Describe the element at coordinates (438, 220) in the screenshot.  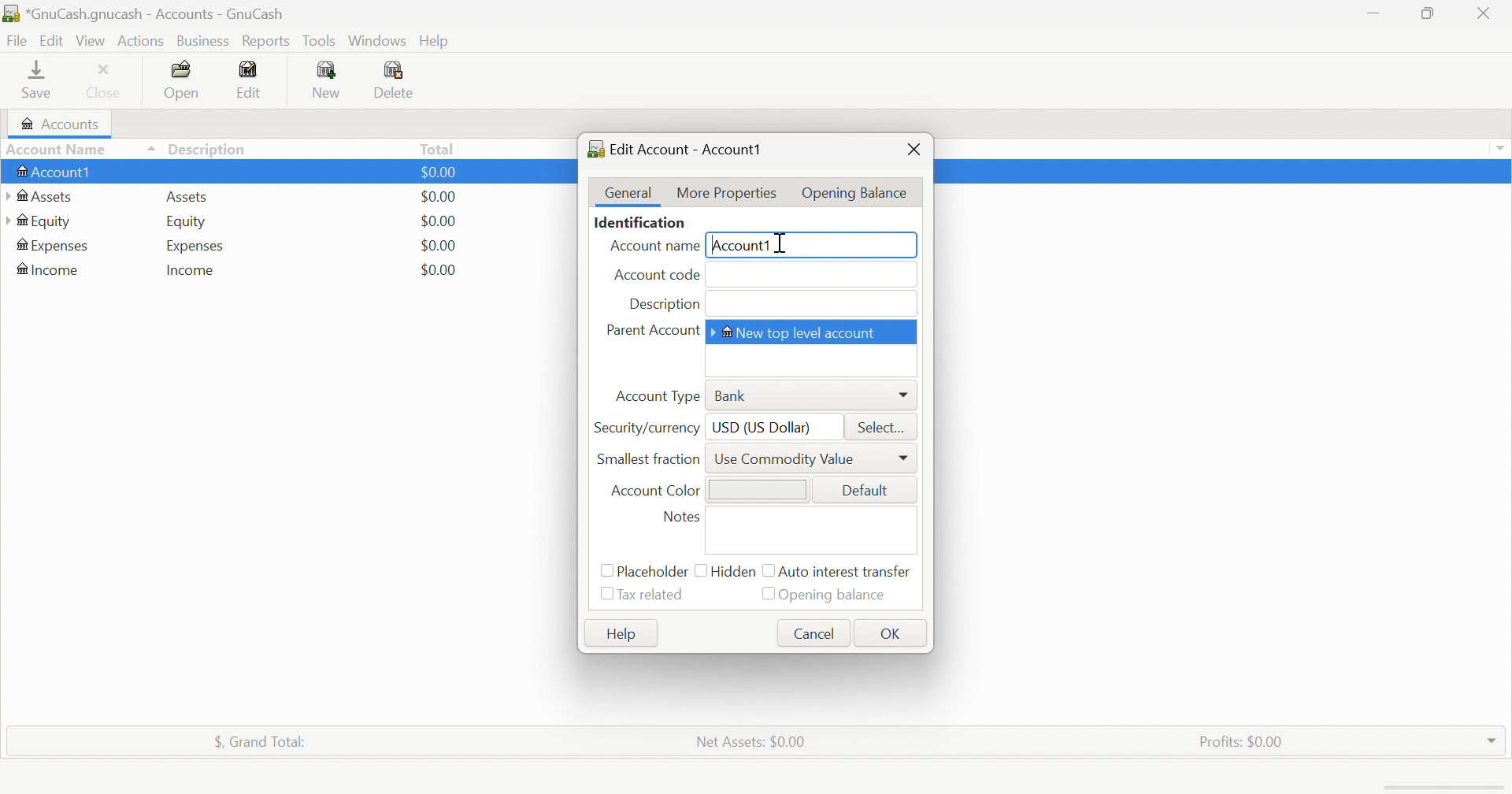
I see `$0.00` at that location.